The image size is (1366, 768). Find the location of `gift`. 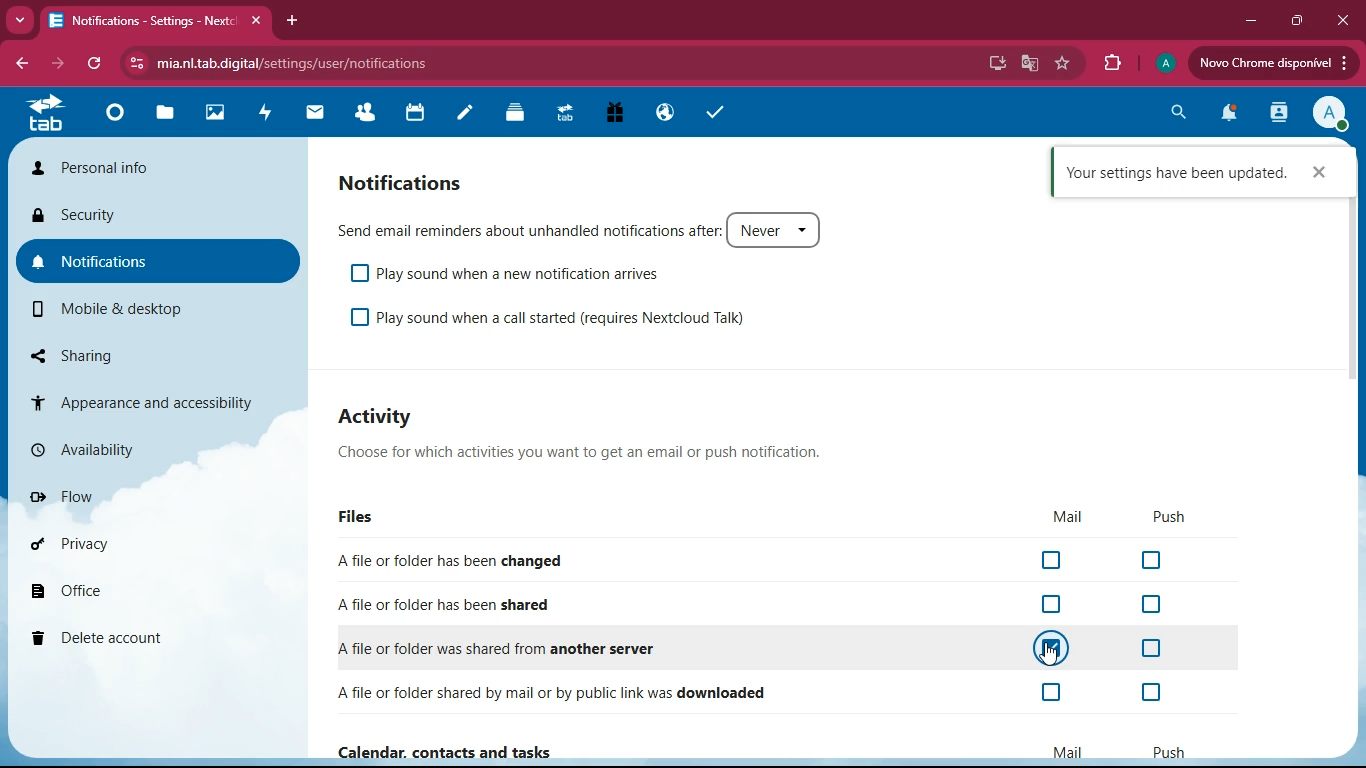

gift is located at coordinates (611, 114).